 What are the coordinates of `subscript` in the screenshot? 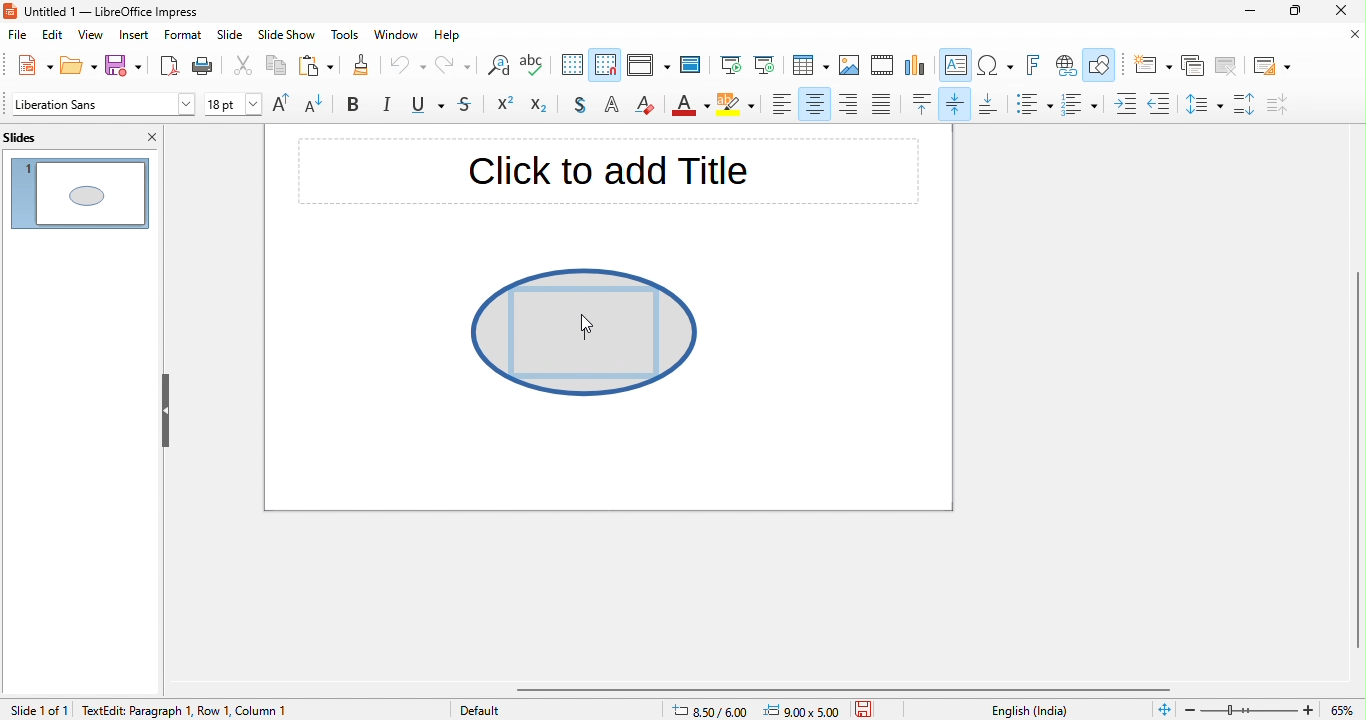 It's located at (543, 106).